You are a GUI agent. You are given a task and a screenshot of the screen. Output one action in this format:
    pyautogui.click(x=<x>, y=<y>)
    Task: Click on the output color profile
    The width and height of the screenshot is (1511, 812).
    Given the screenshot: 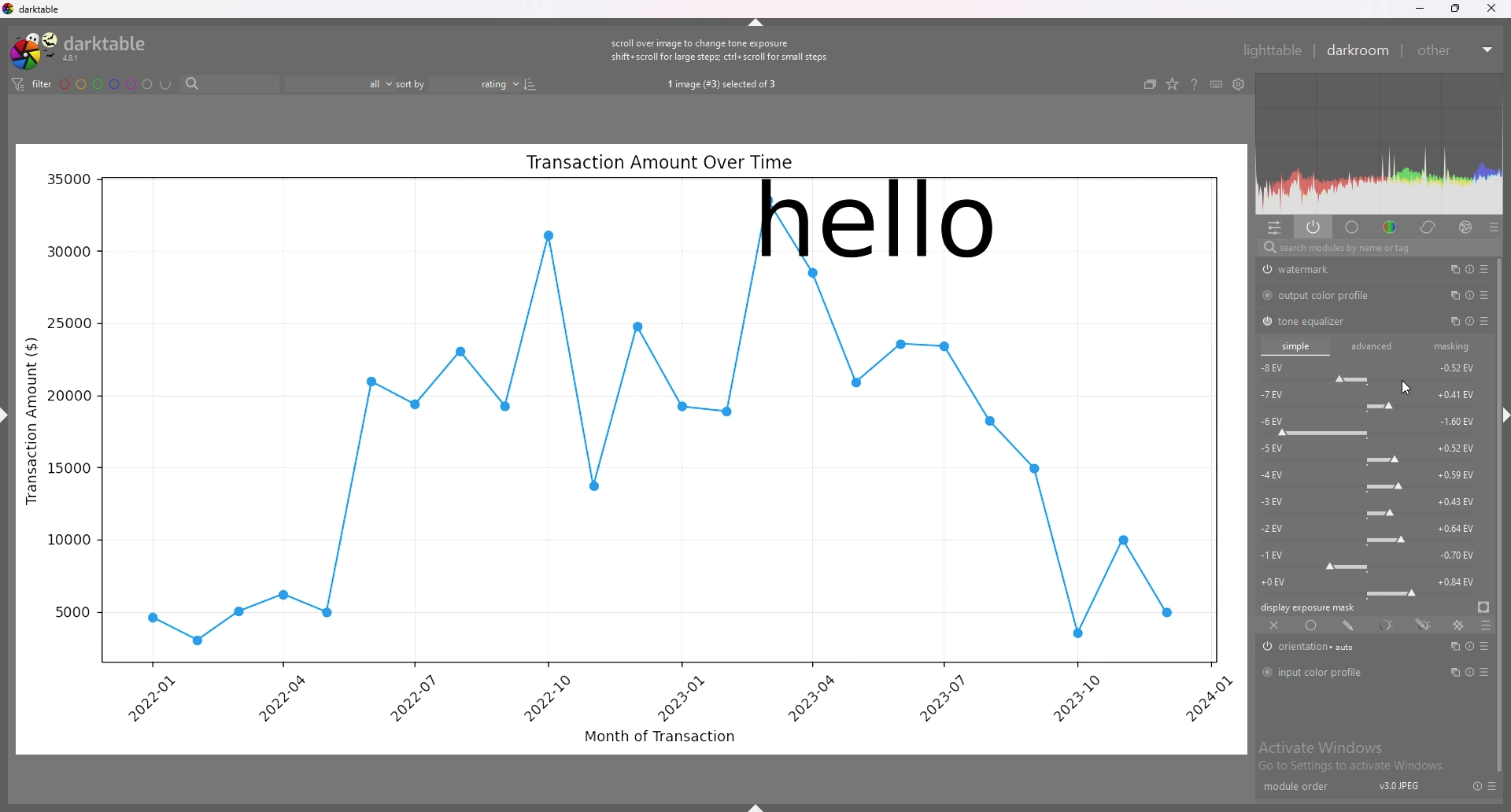 What is the action you would take?
    pyautogui.click(x=1329, y=297)
    